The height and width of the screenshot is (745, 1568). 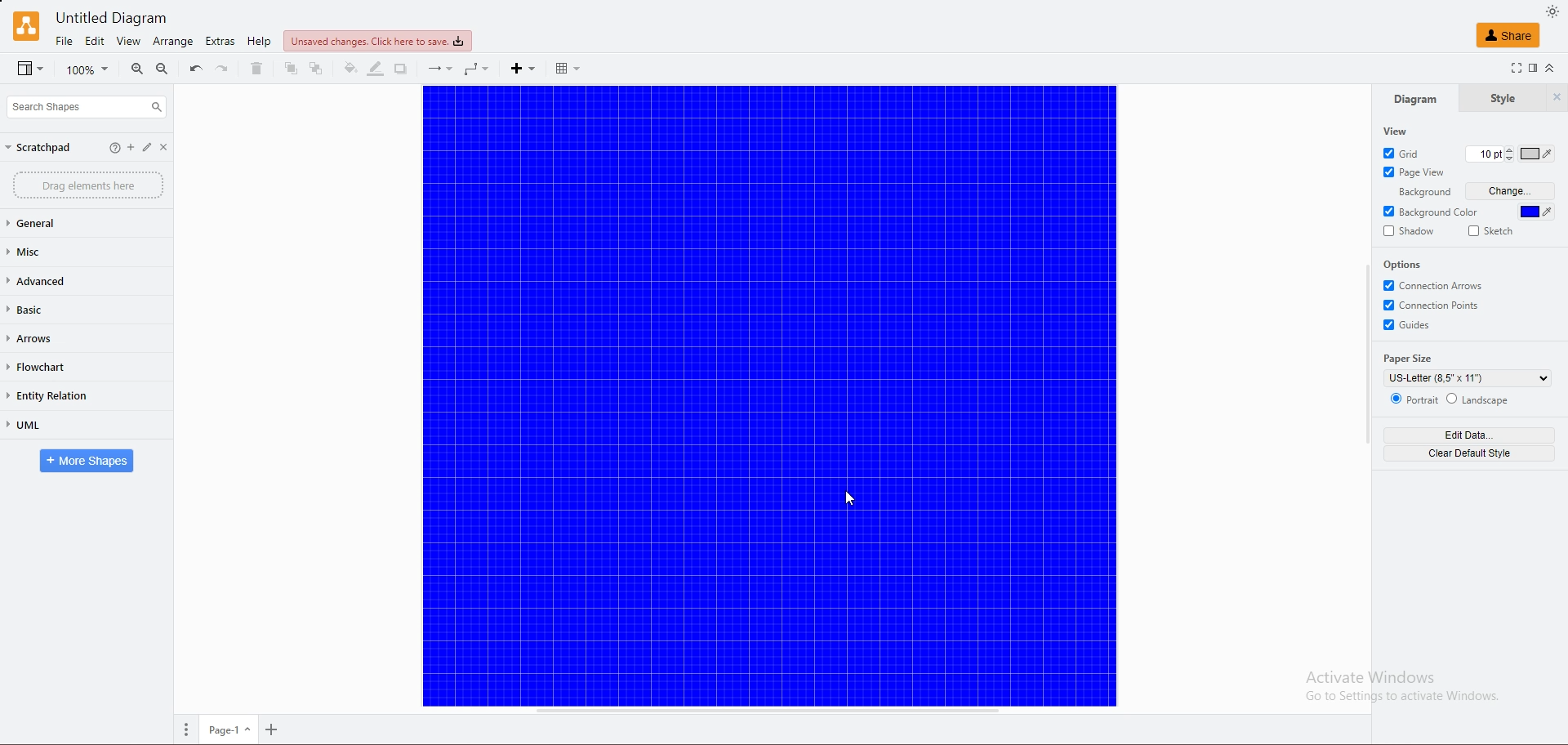 What do you see at coordinates (69, 280) in the screenshot?
I see `advanced` at bounding box center [69, 280].